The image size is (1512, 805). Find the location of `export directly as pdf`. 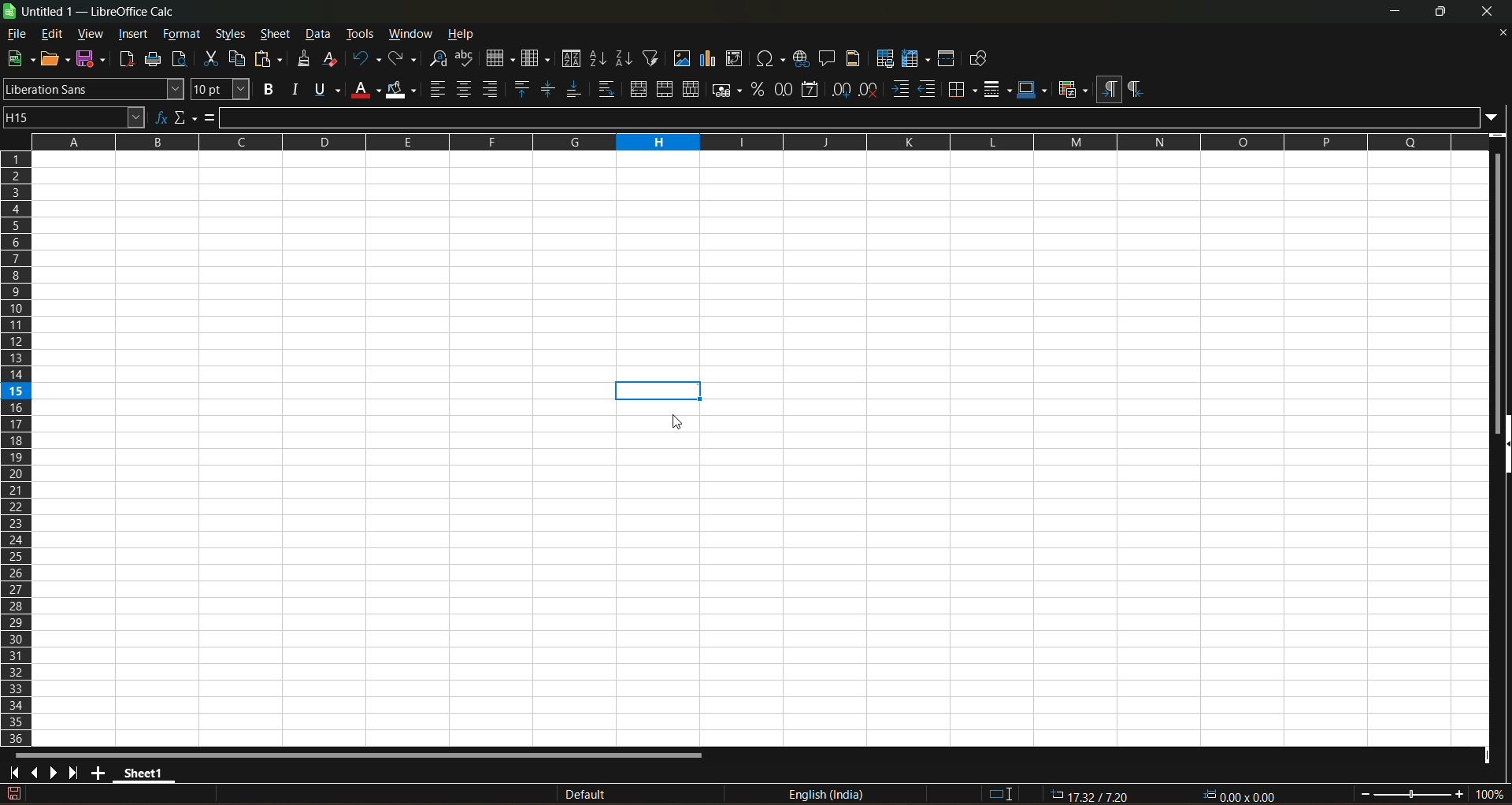

export directly as pdf is located at coordinates (127, 58).